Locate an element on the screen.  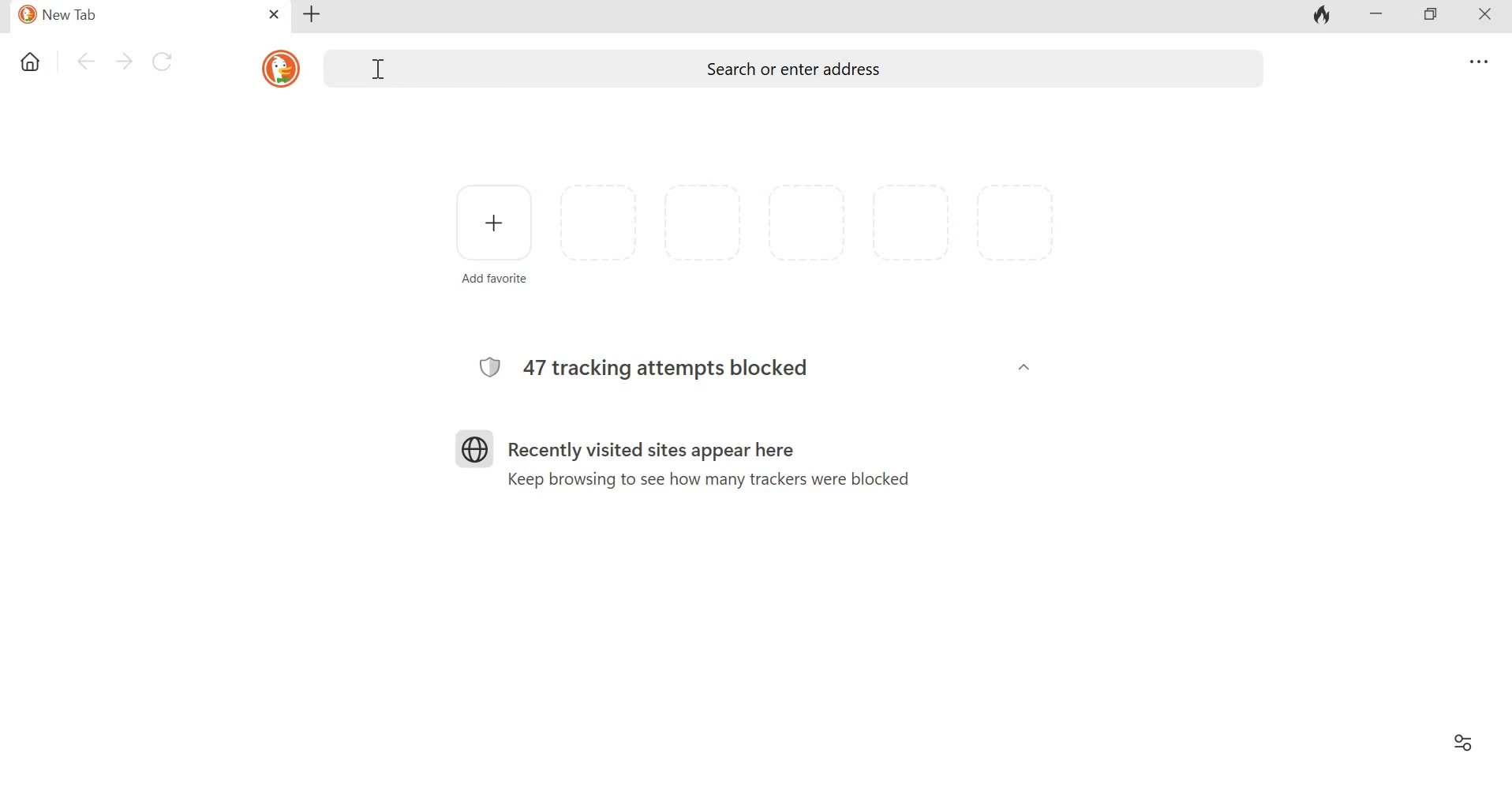
New tab is located at coordinates (313, 14).